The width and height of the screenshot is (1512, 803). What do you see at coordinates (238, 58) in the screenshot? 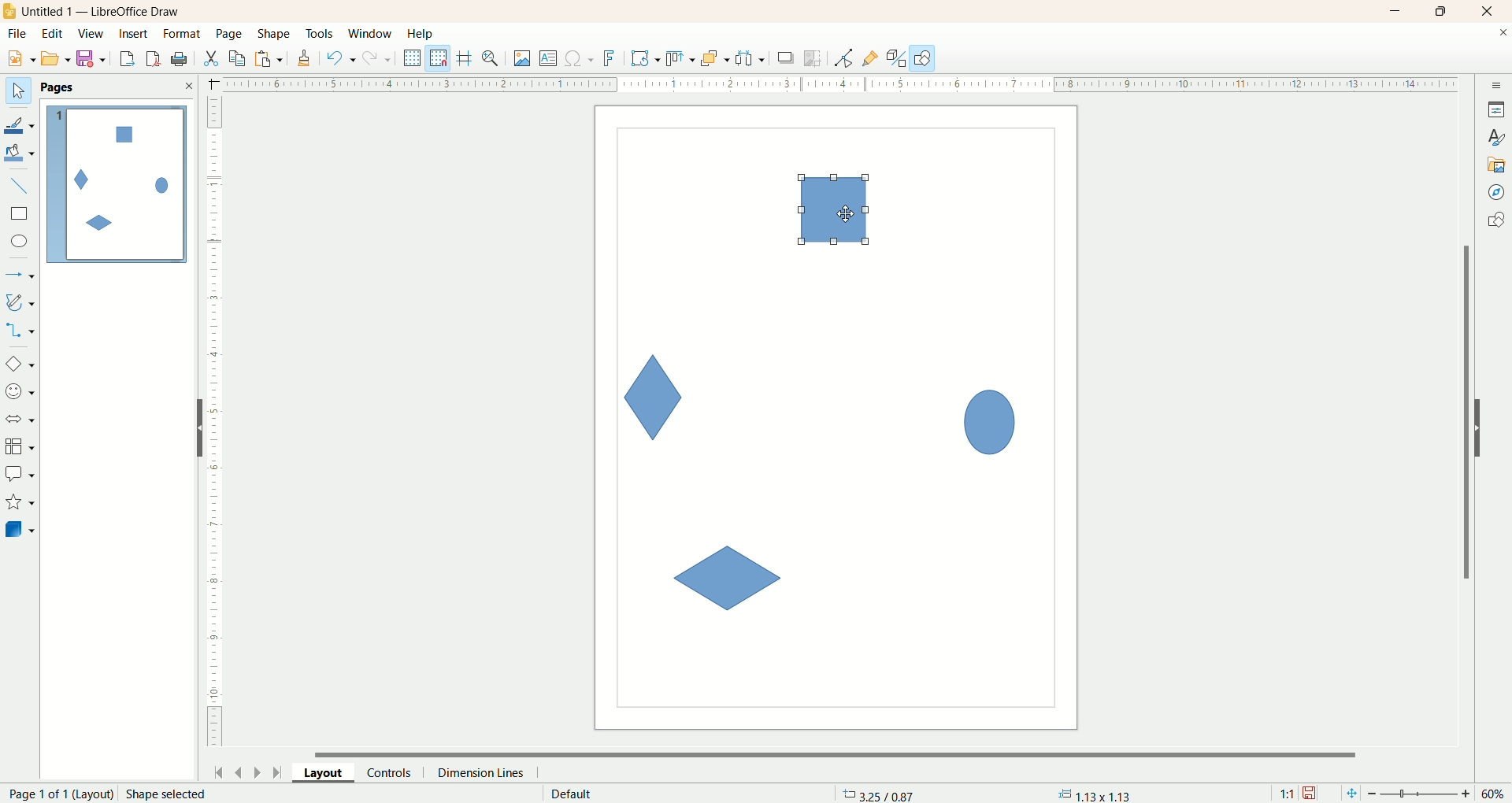
I see `copy` at bounding box center [238, 58].